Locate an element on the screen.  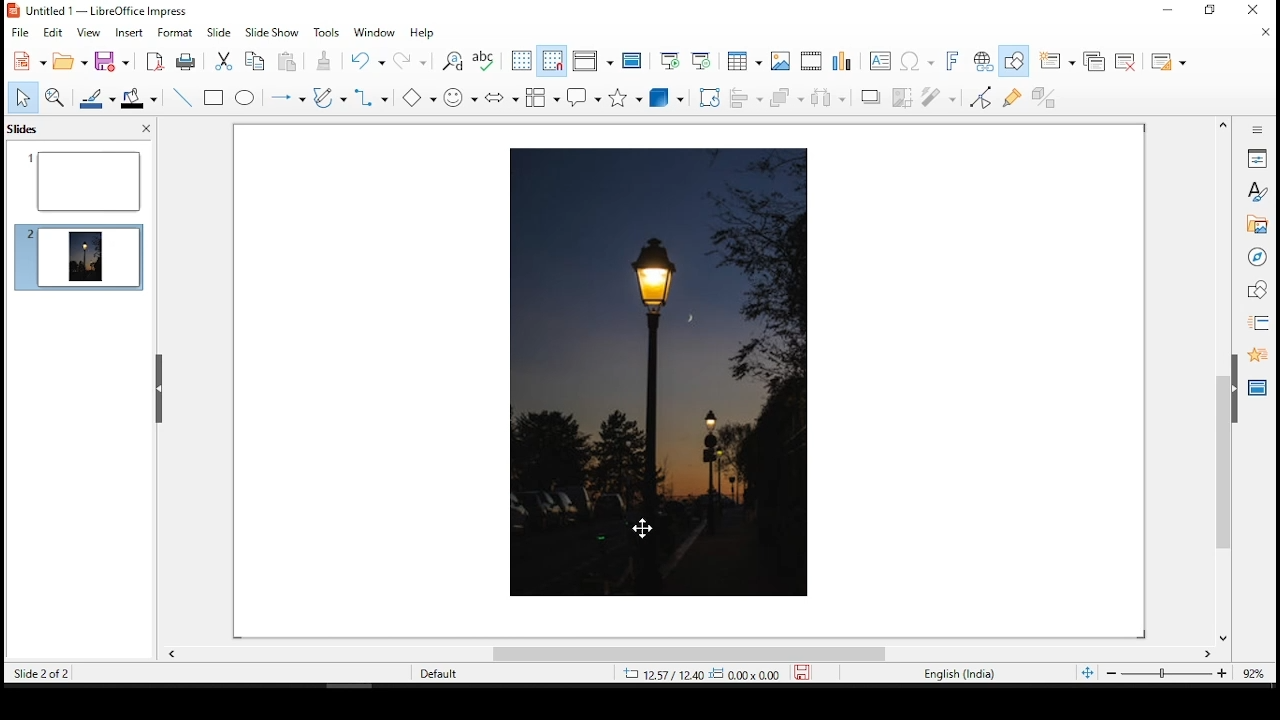
new is located at coordinates (29, 61).